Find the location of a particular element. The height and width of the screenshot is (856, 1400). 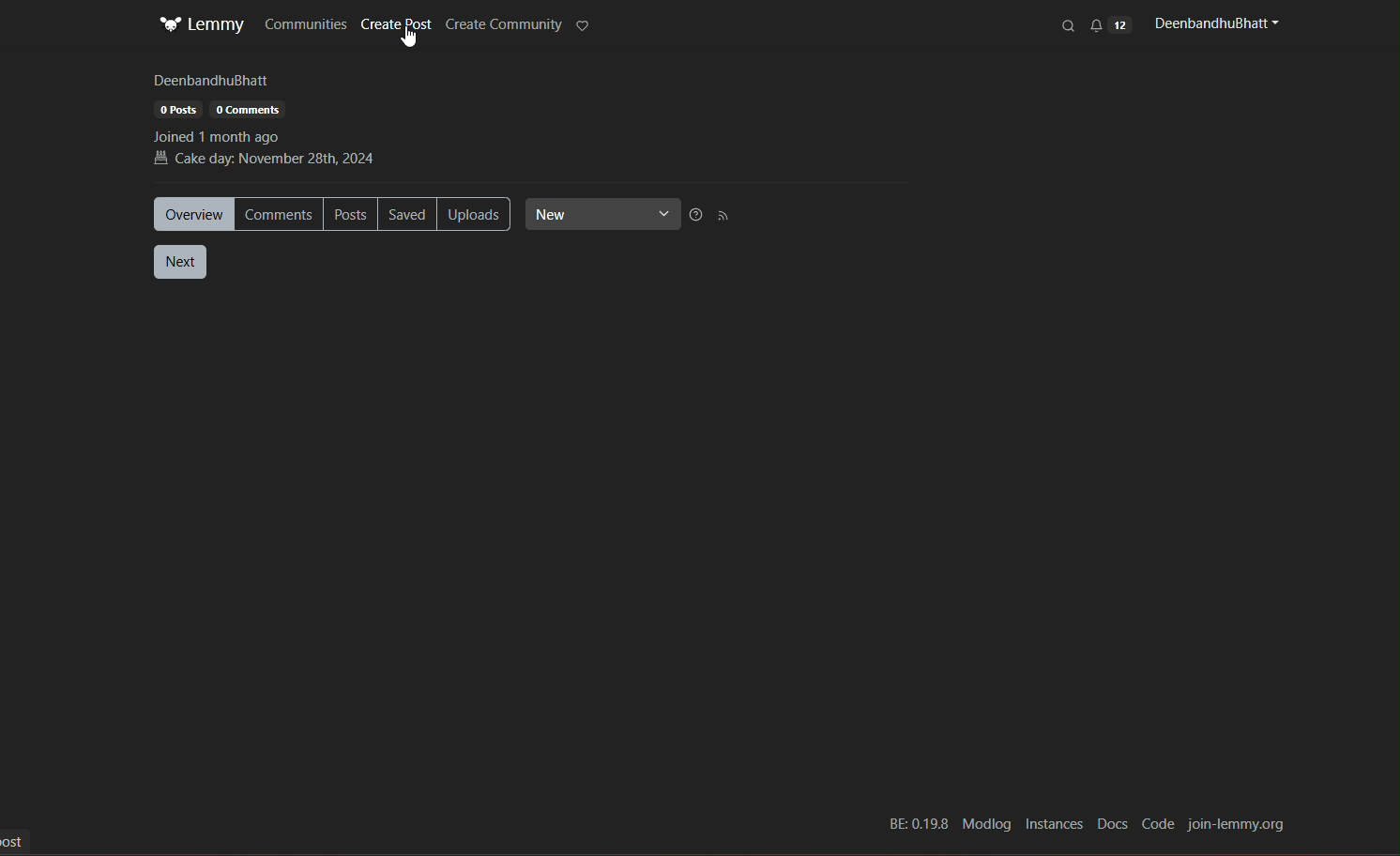

Logo and title is located at coordinates (202, 25).